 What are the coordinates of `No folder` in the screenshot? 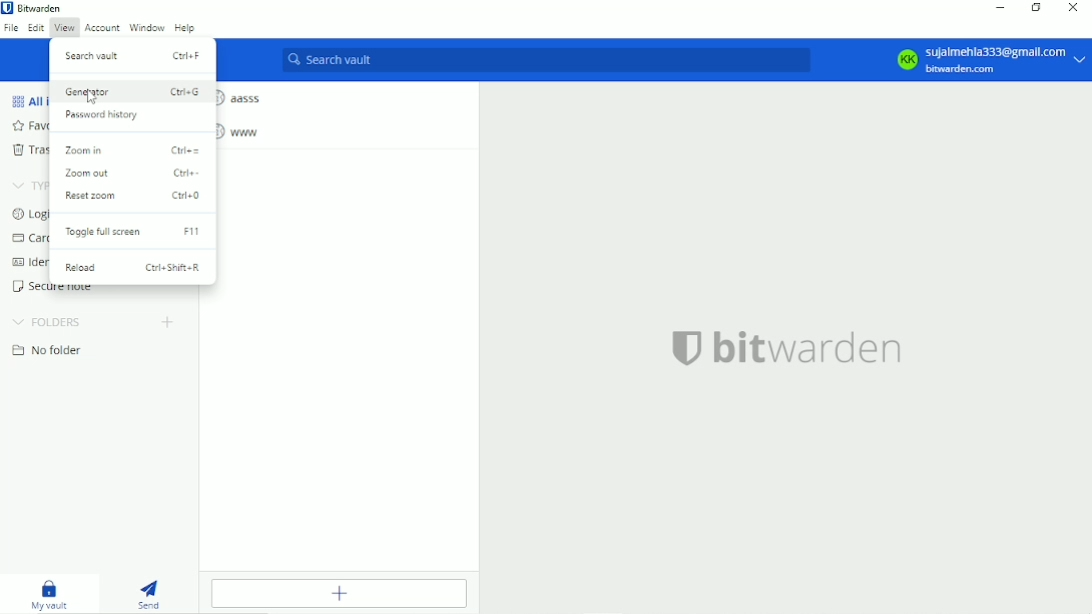 It's located at (48, 350).